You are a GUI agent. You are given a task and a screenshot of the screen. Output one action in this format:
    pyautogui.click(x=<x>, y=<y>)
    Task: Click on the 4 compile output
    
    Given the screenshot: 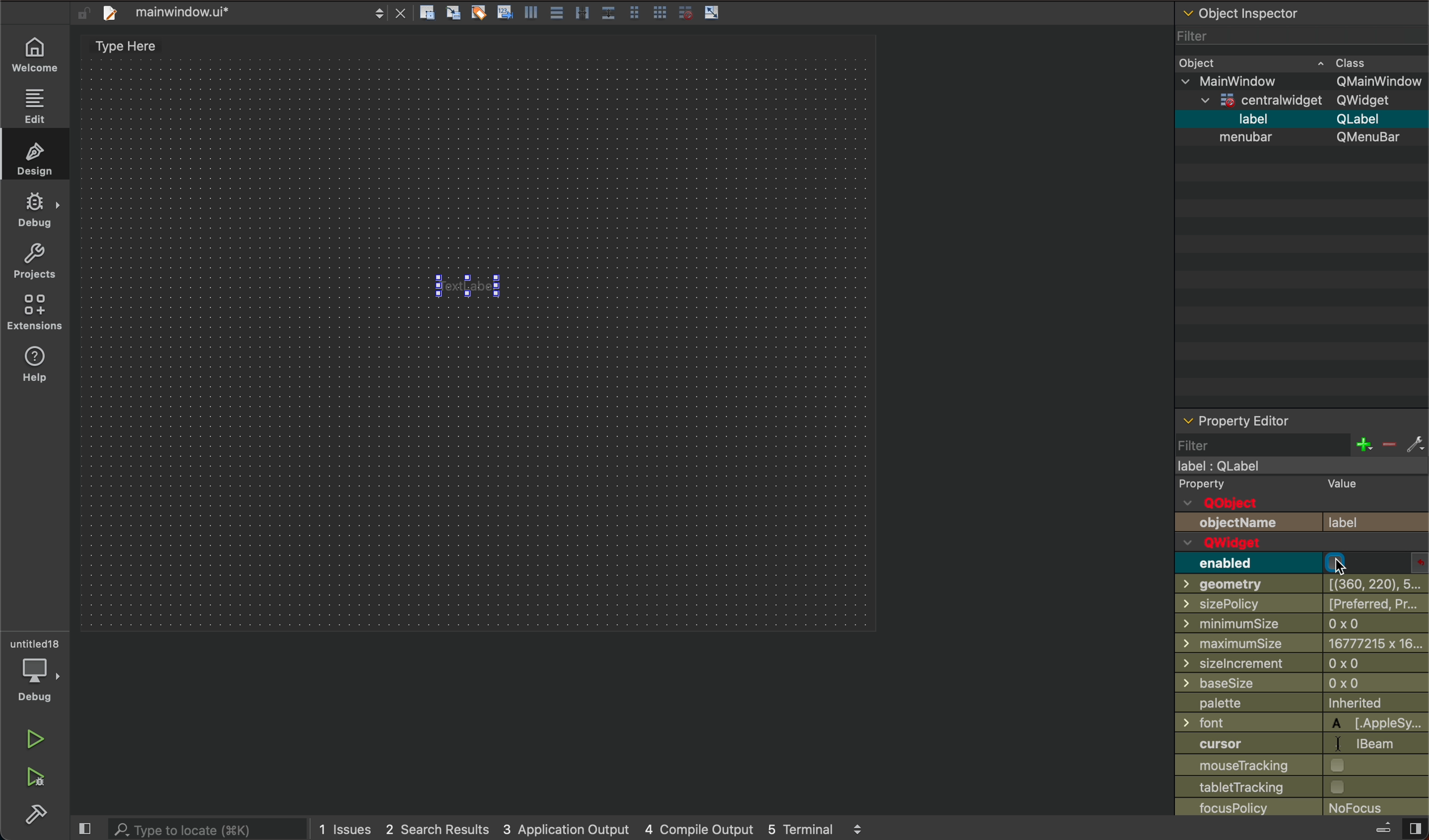 What is the action you would take?
    pyautogui.click(x=696, y=825)
    